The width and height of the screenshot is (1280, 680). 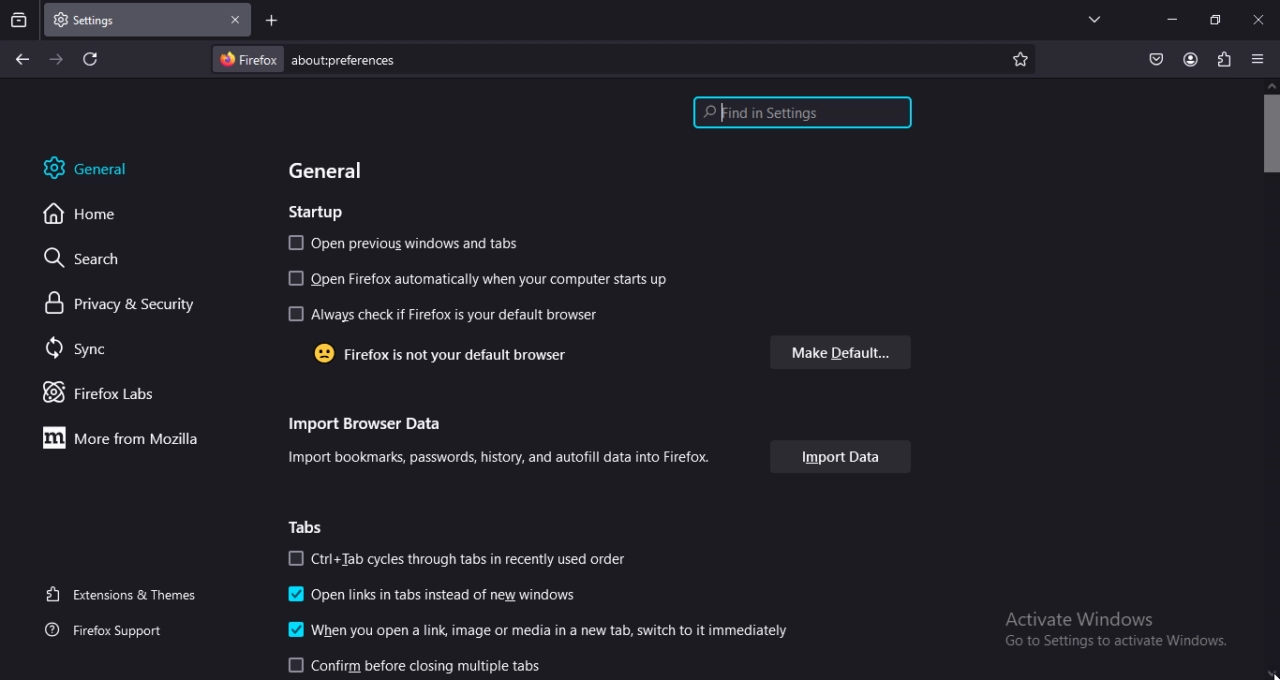 What do you see at coordinates (1270, 381) in the screenshot?
I see `scrollbar` at bounding box center [1270, 381].